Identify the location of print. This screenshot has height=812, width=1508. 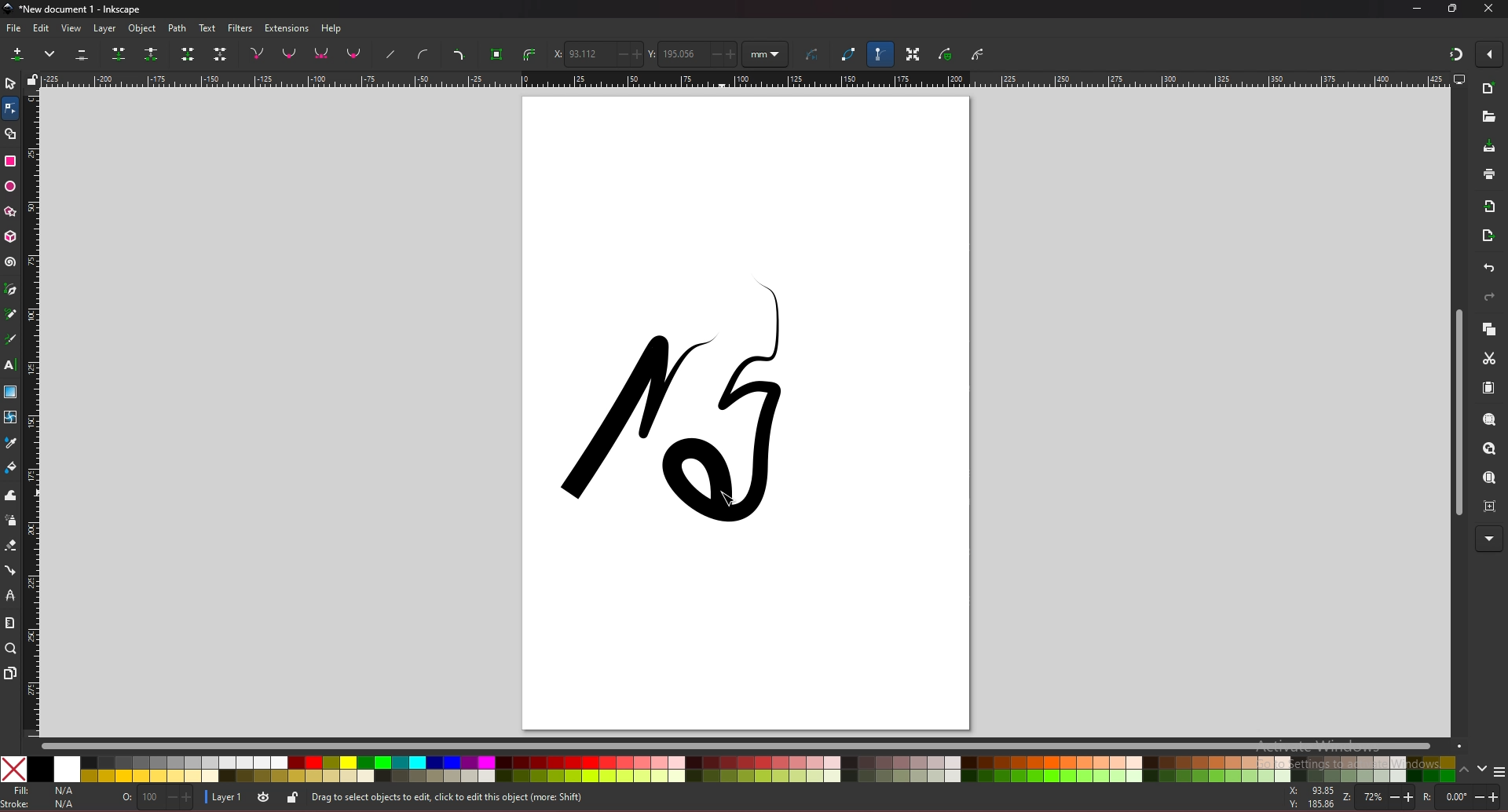
(1490, 174).